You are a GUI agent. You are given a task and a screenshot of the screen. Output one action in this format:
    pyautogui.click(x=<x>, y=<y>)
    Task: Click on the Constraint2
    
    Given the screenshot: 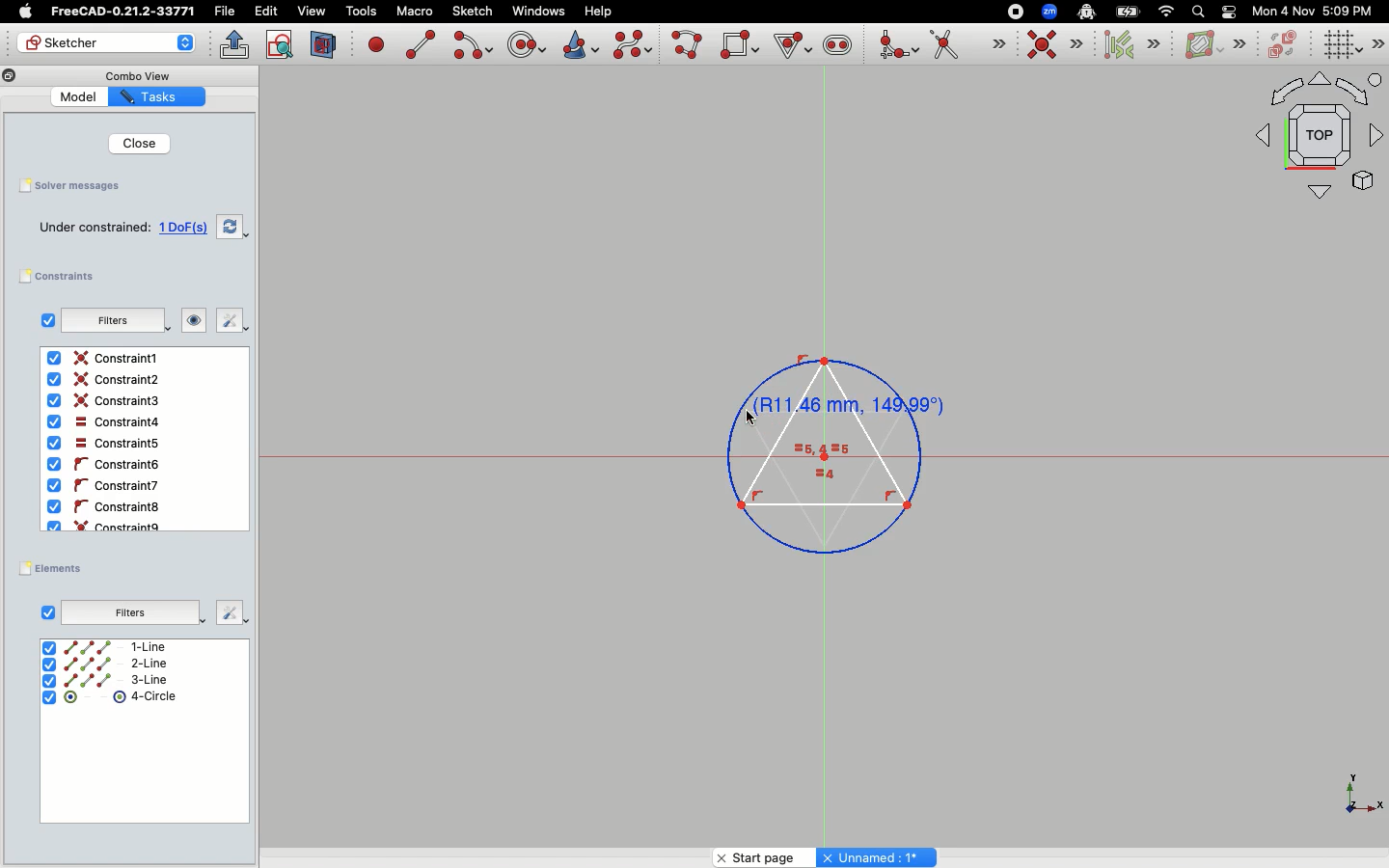 What is the action you would take?
    pyautogui.click(x=108, y=380)
    